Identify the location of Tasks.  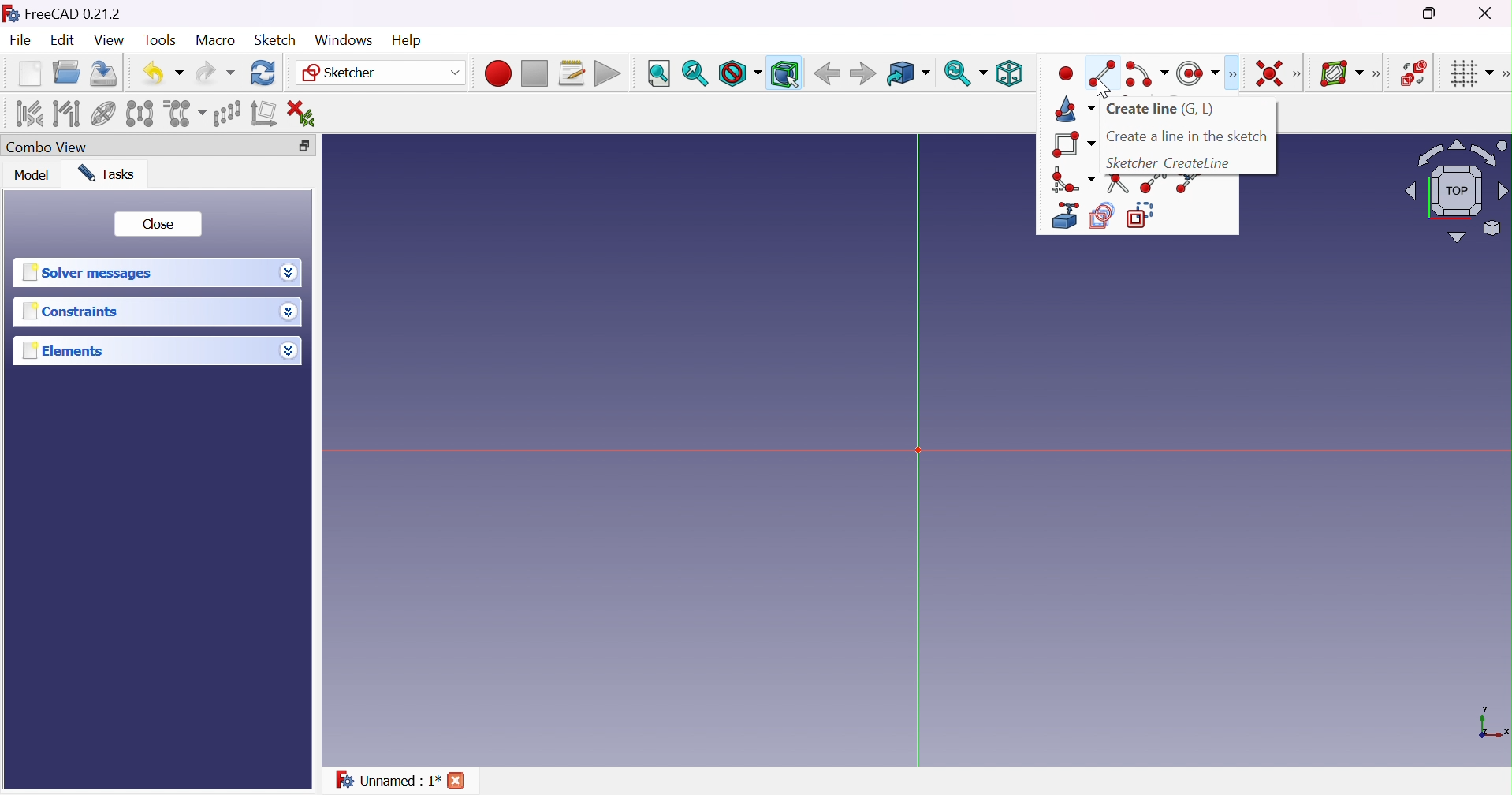
(112, 174).